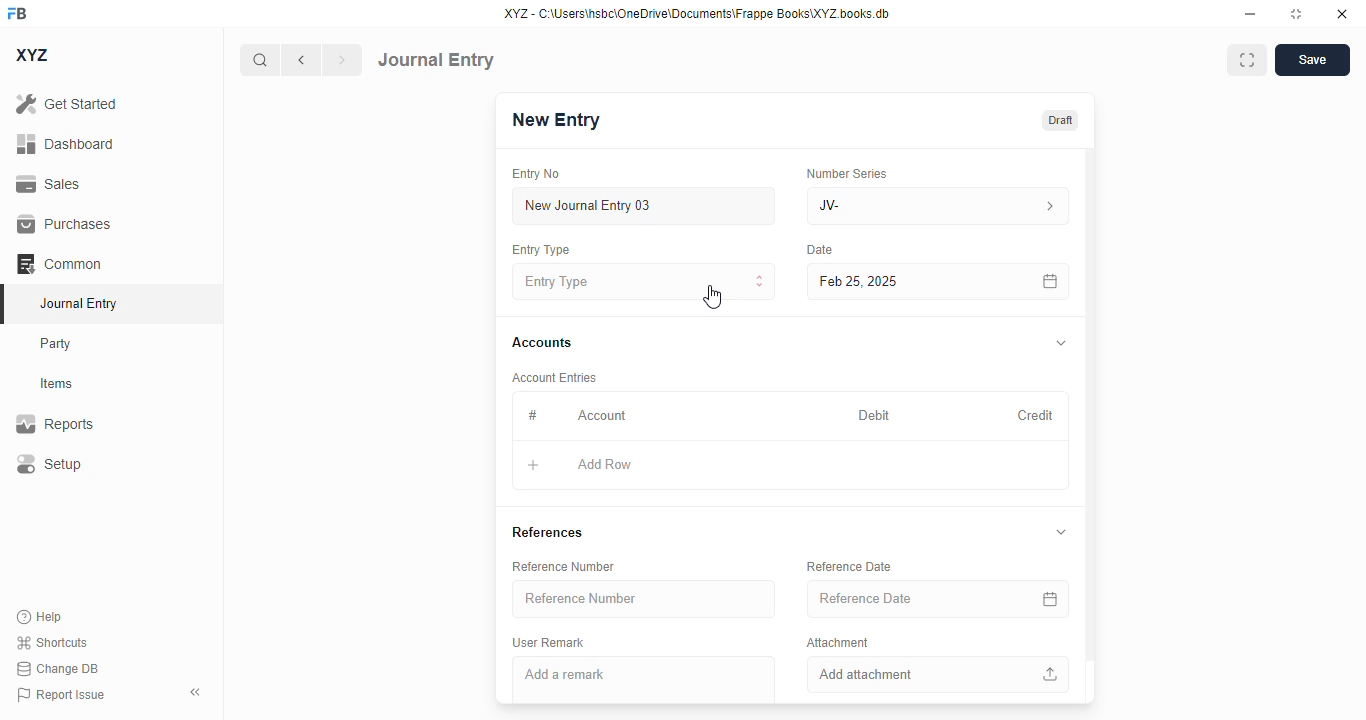  I want to click on toggle maximize, so click(1295, 14).